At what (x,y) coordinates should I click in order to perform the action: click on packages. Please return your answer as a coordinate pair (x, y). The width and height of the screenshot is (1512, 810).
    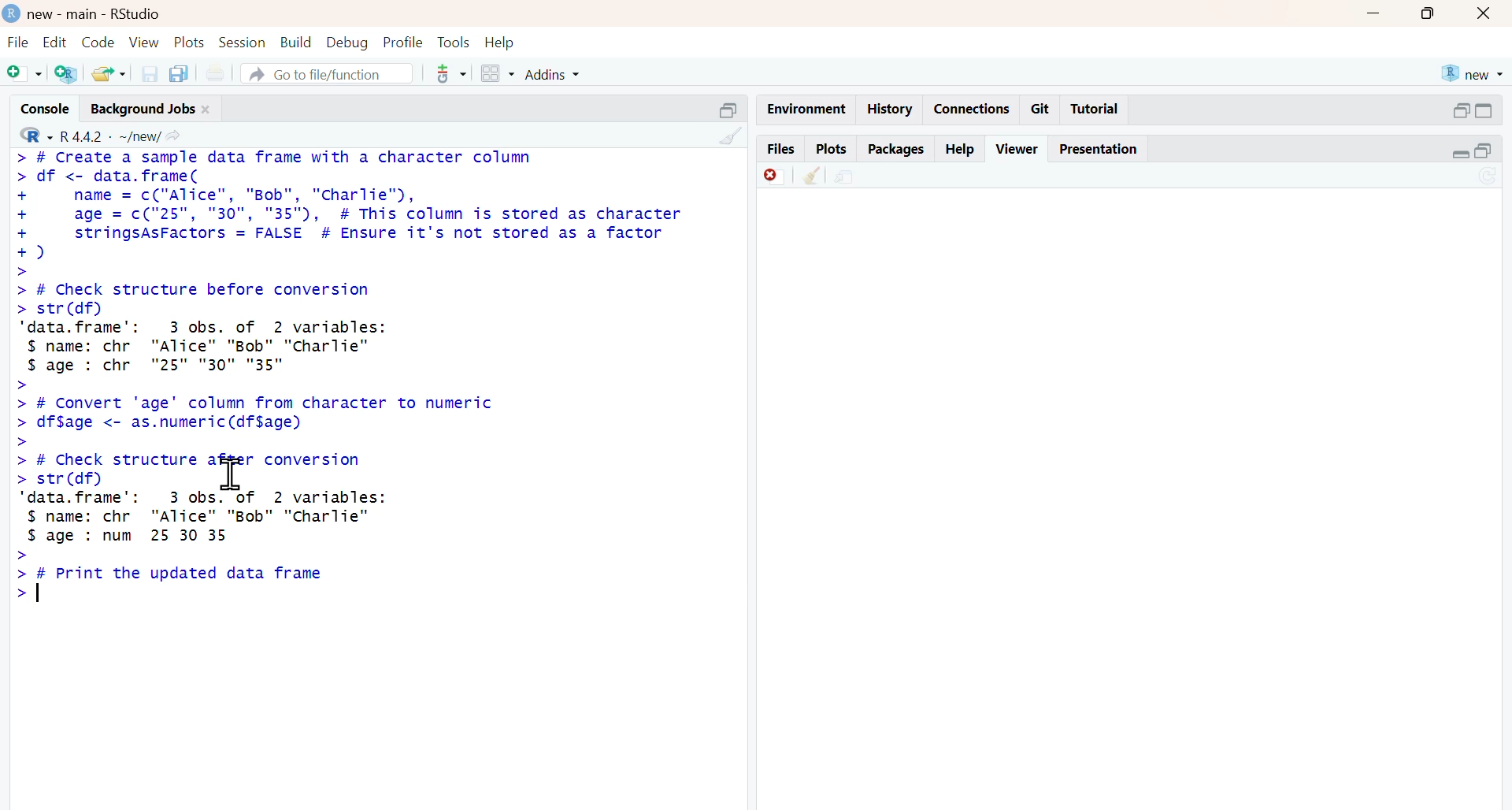
    Looking at the image, I should click on (898, 150).